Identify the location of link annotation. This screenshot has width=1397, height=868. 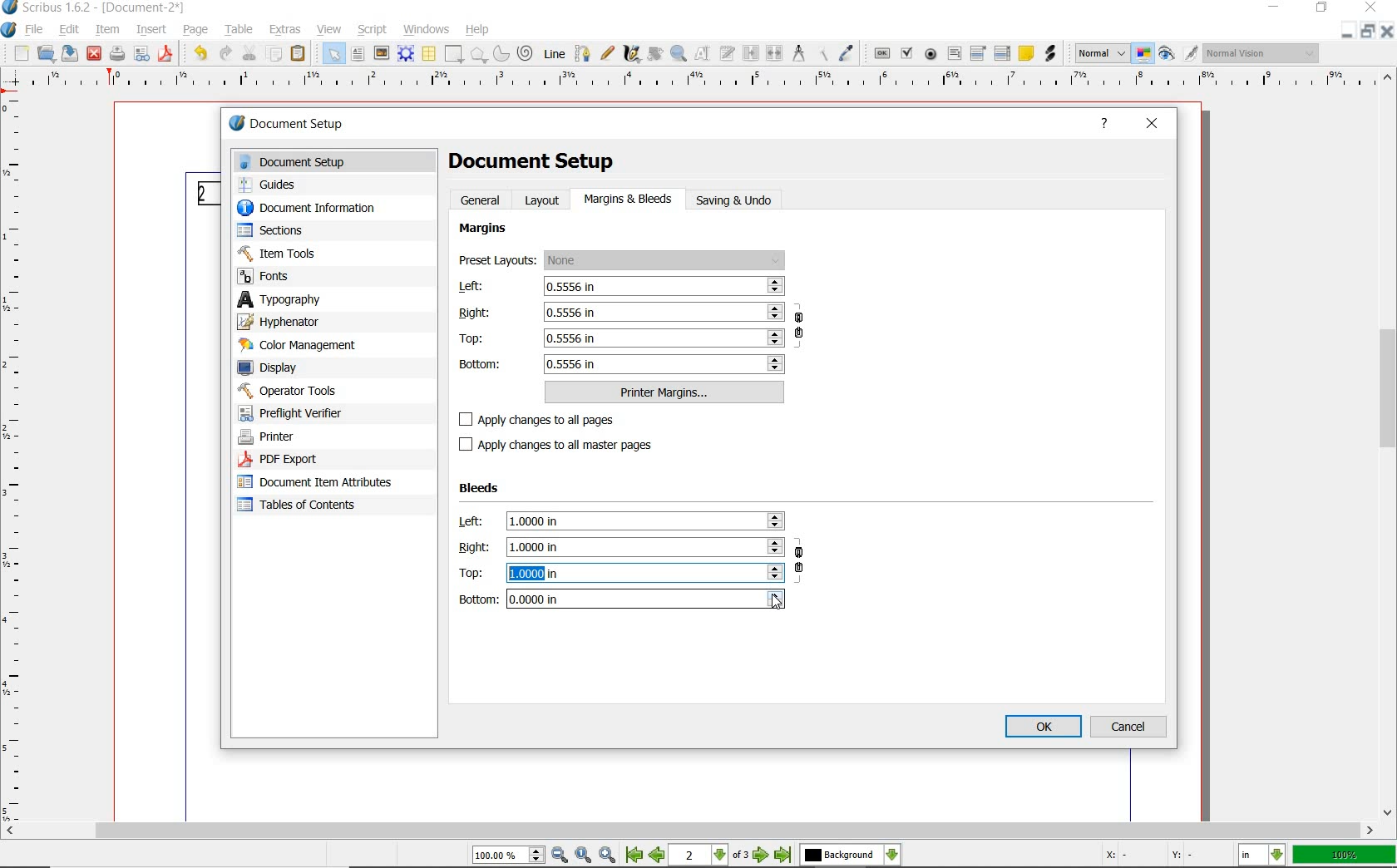
(1051, 54).